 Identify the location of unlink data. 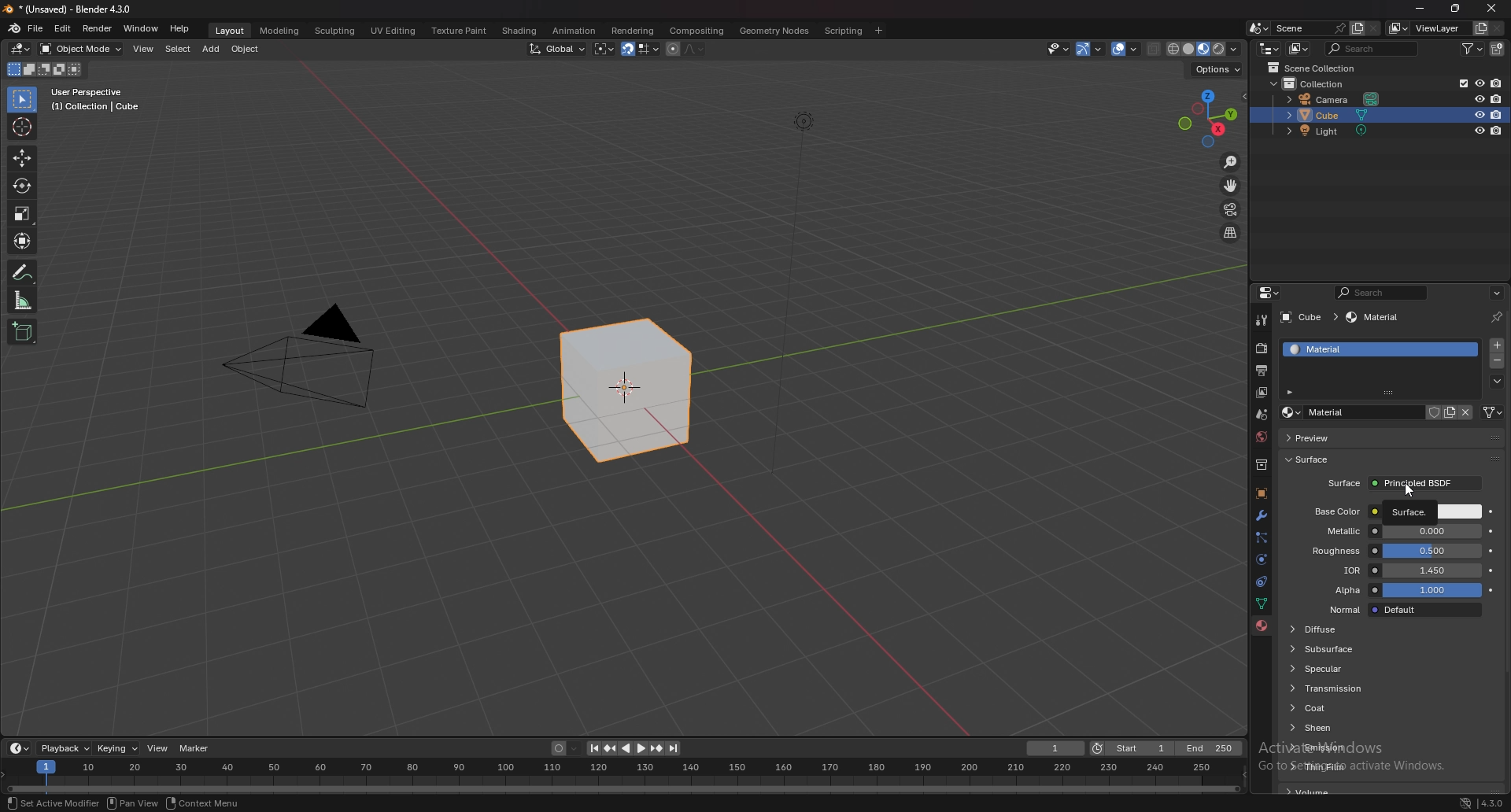
(1466, 412).